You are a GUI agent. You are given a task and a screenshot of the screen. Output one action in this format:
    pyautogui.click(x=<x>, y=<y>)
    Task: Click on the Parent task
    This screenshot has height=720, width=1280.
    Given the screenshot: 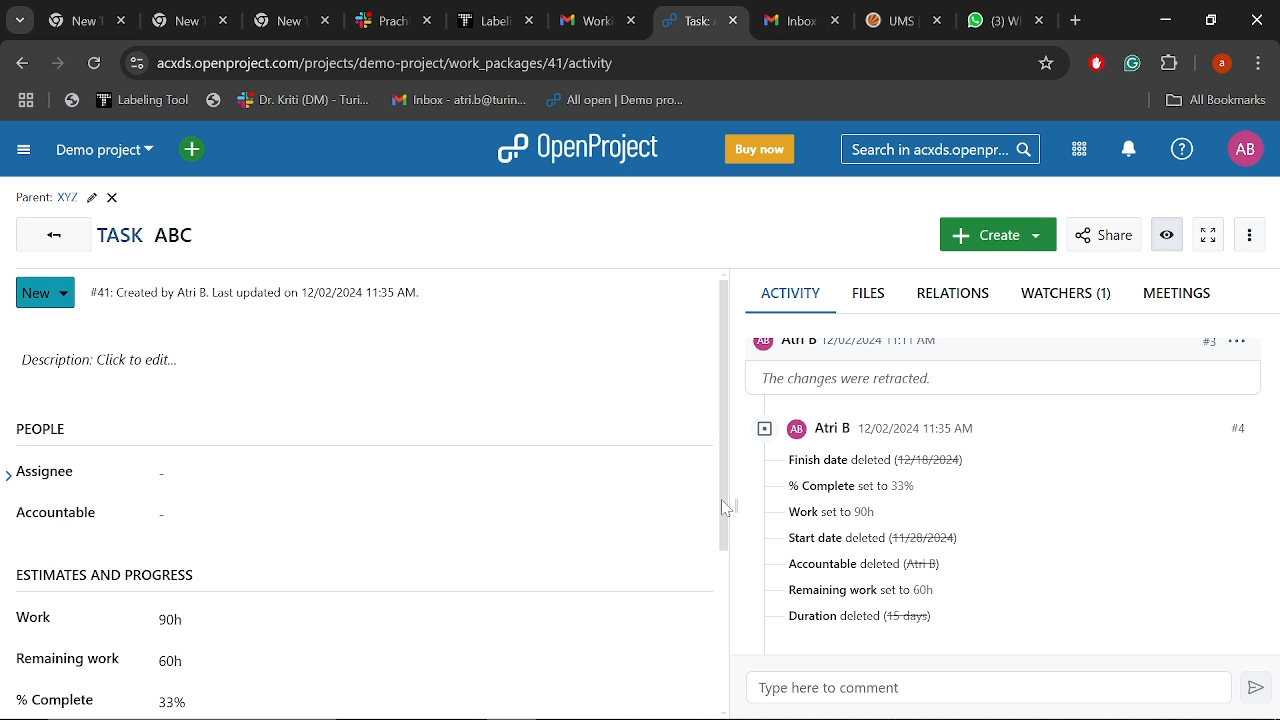 What is the action you would take?
    pyautogui.click(x=68, y=198)
    